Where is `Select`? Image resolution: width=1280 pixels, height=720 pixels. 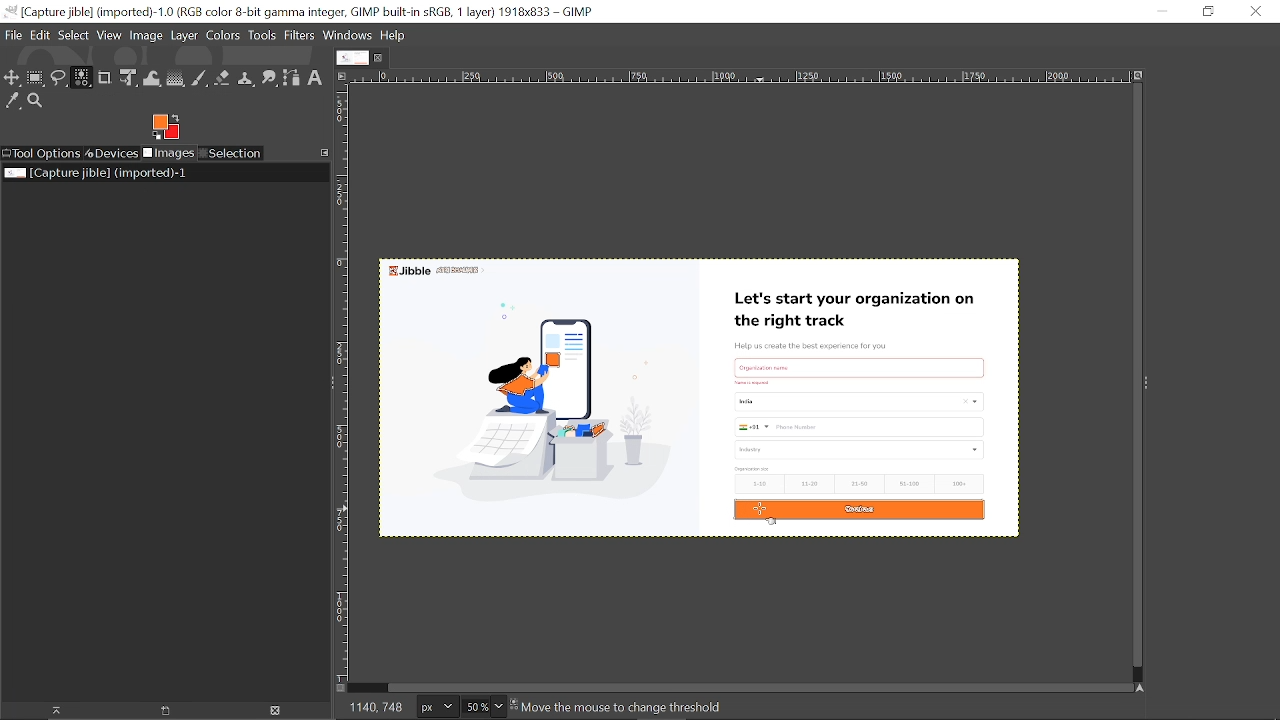
Select is located at coordinates (73, 35).